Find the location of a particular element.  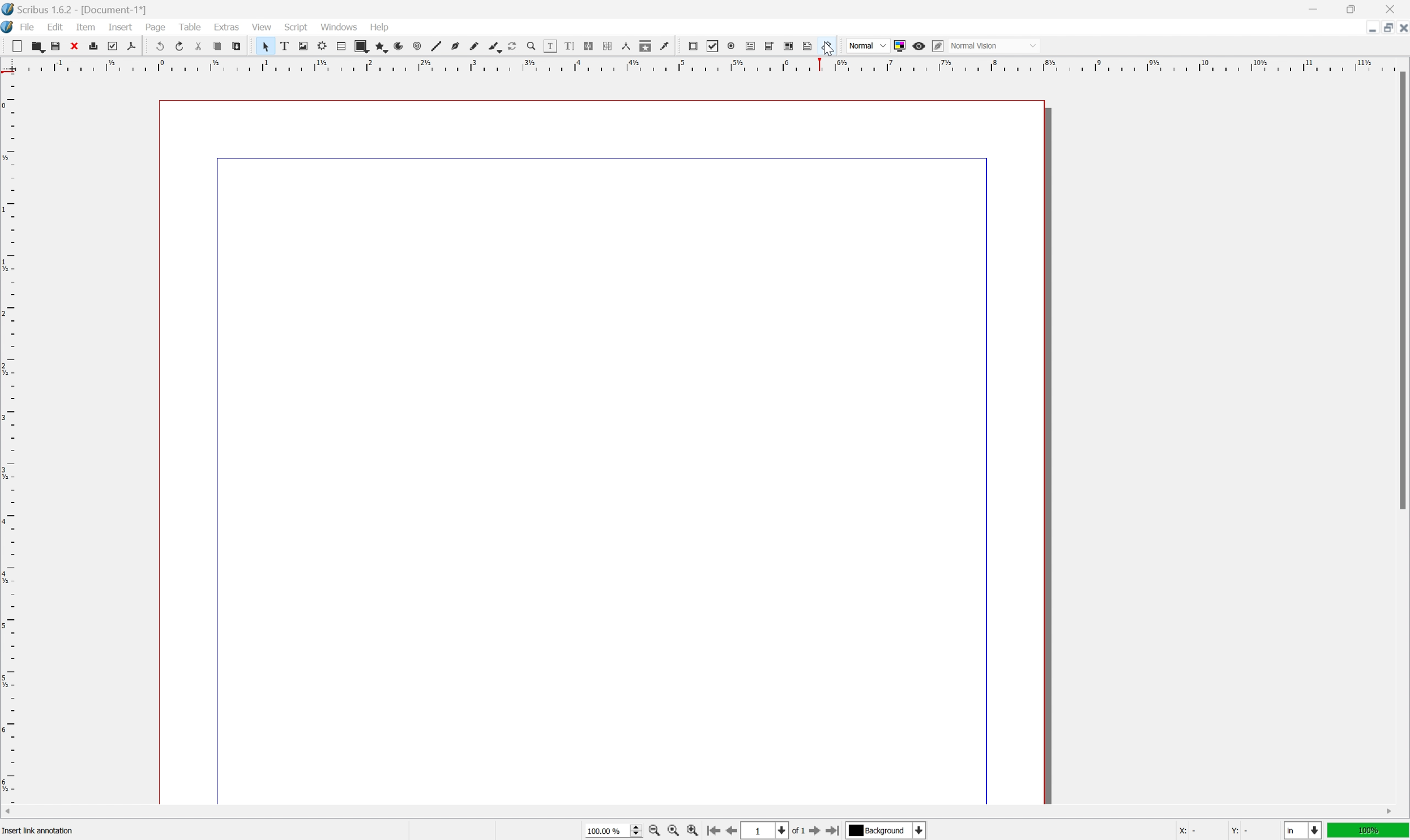

paste is located at coordinates (236, 46).